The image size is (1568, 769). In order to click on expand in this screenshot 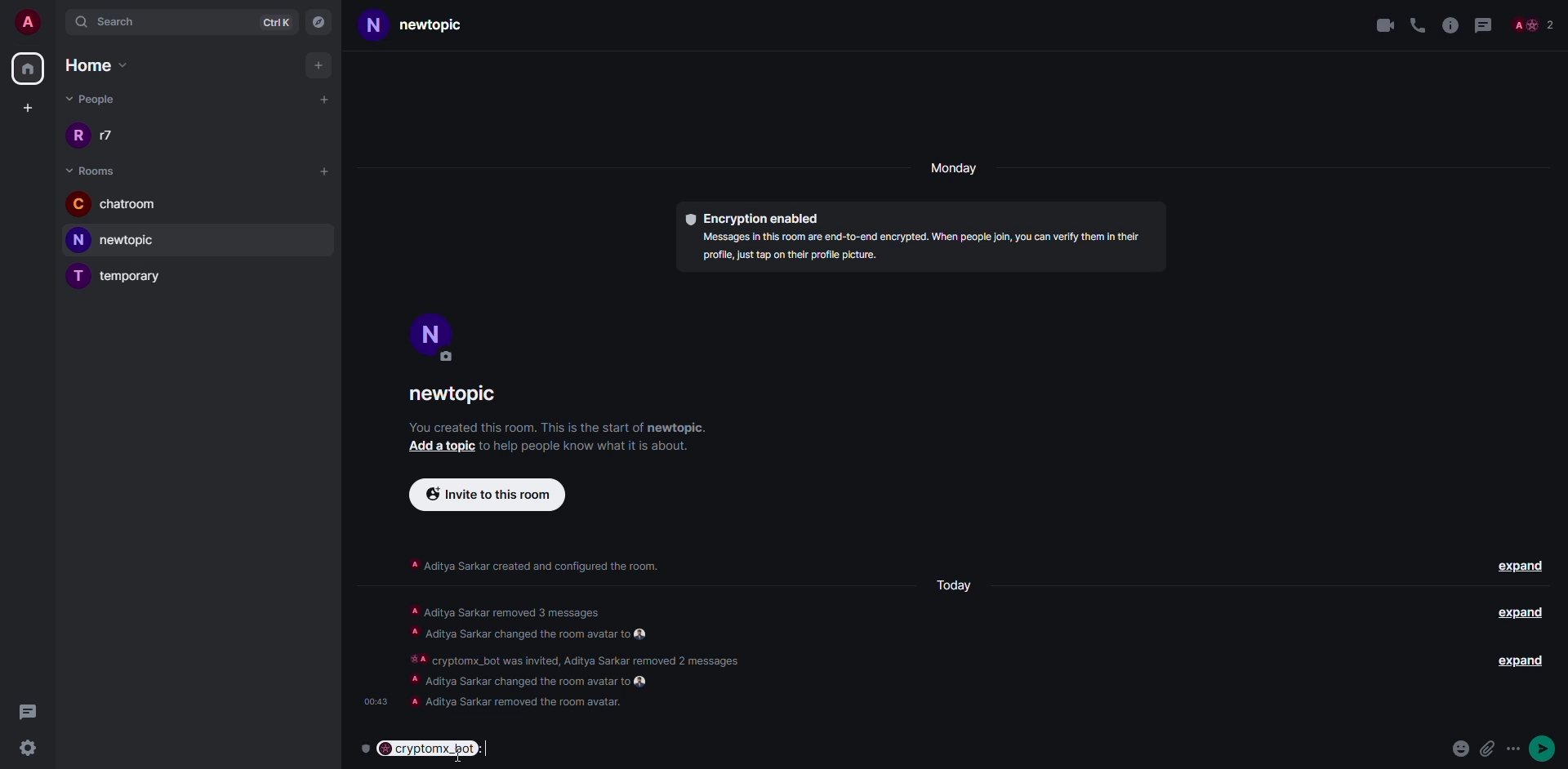, I will do `click(1511, 661)`.